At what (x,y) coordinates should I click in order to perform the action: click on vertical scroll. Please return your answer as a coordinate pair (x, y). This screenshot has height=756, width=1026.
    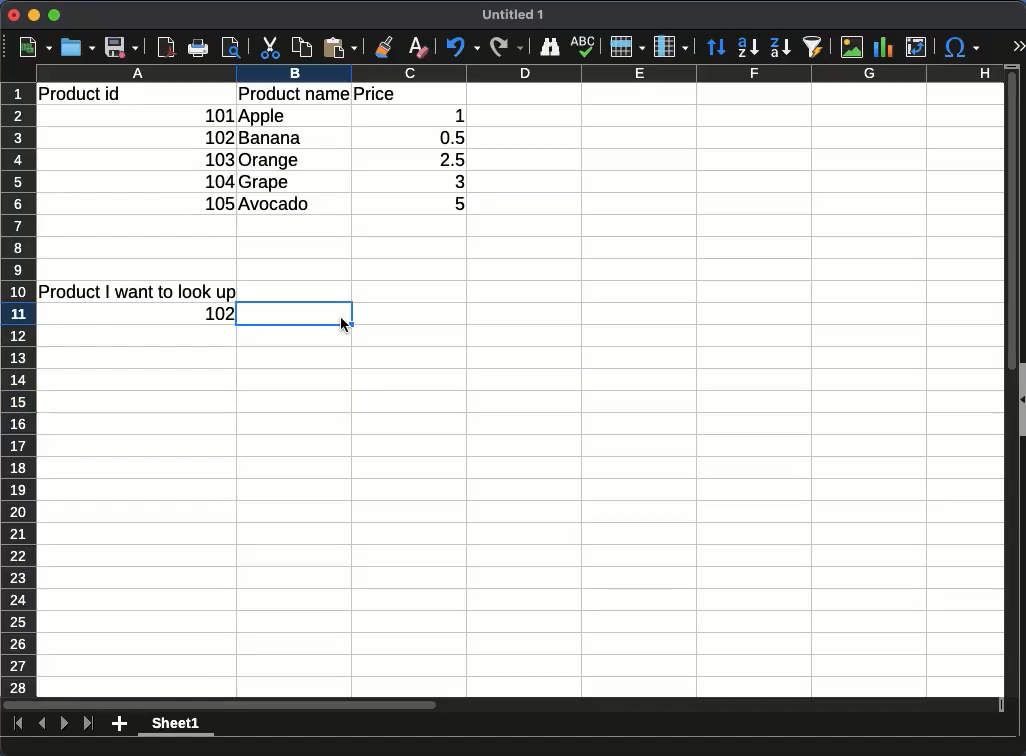
    Looking at the image, I should click on (1012, 381).